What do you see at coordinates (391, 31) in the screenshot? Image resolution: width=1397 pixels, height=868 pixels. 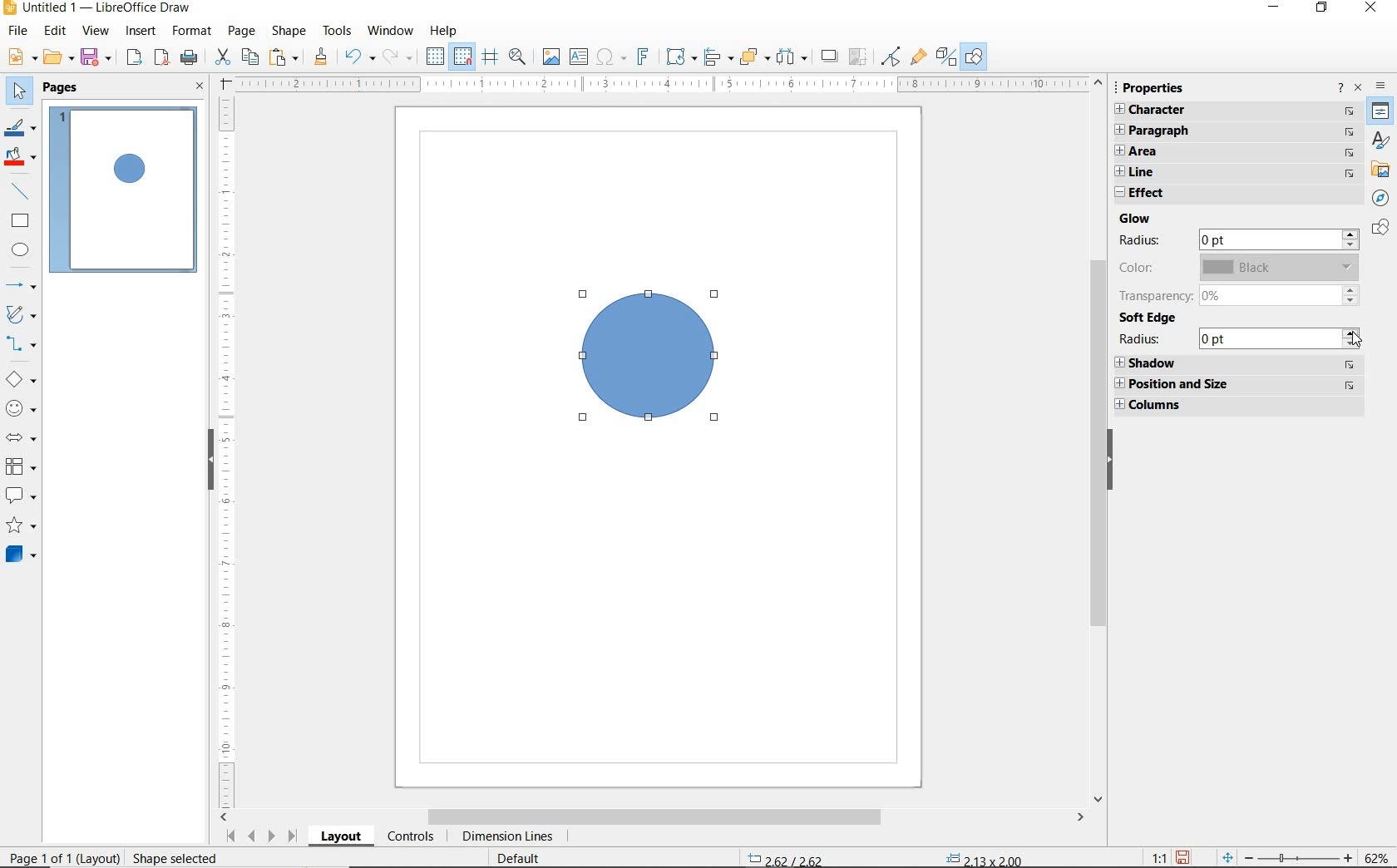 I see `WINDOW` at bounding box center [391, 31].